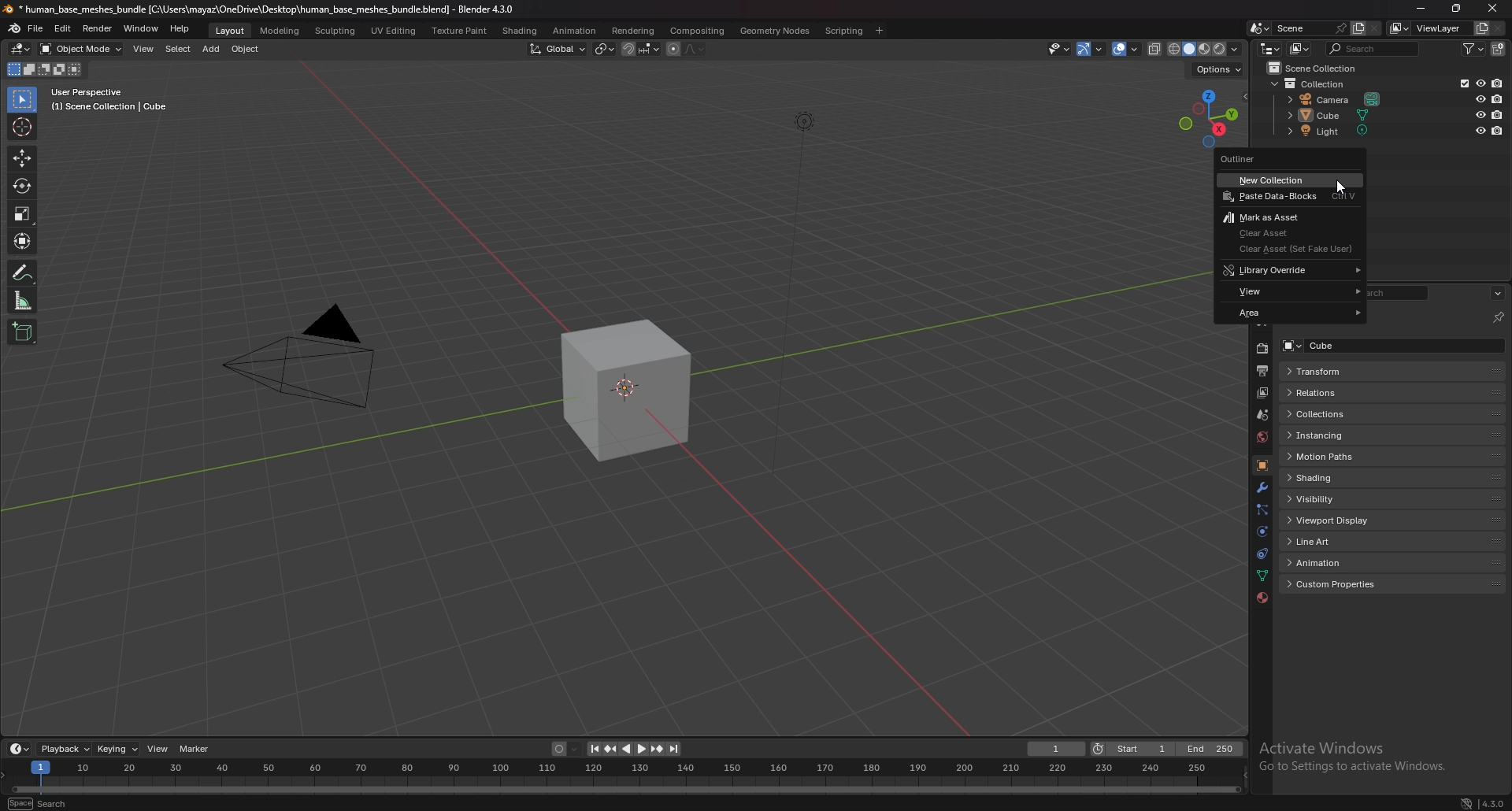 The width and height of the screenshot is (1512, 811). What do you see at coordinates (567, 749) in the screenshot?
I see `auto keying` at bounding box center [567, 749].